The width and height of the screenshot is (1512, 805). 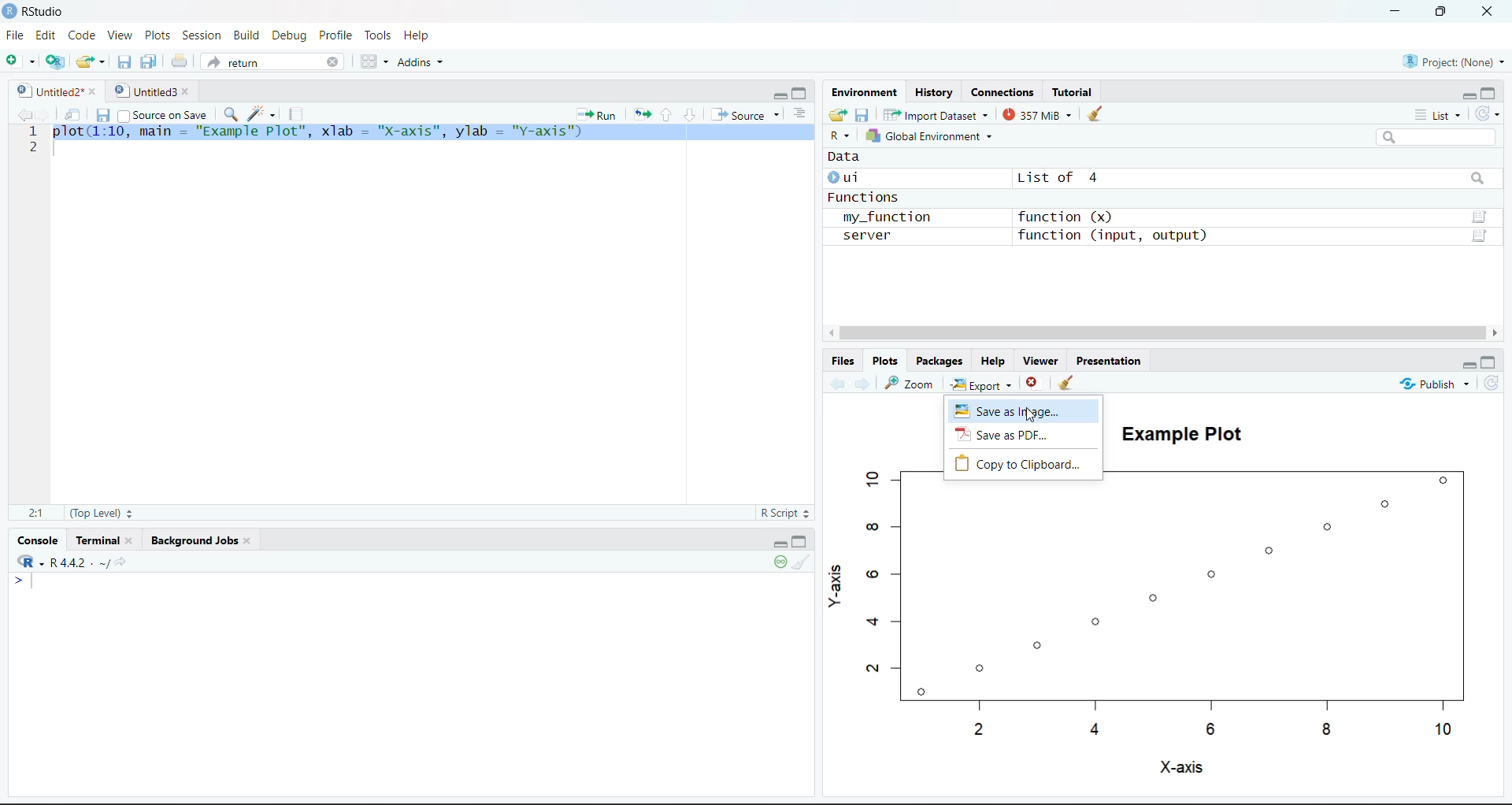 I want to click on Copy to Clipboard.., so click(x=1023, y=464).